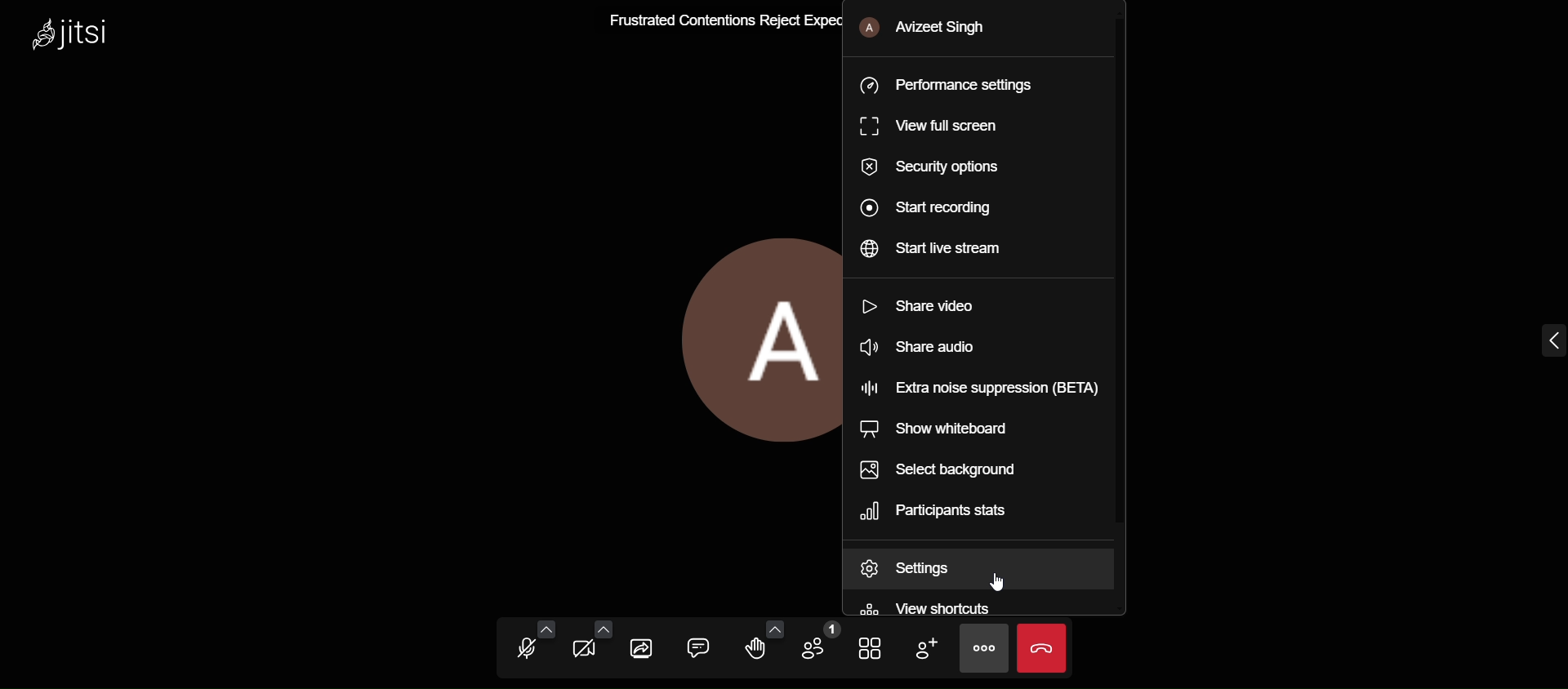  Describe the element at coordinates (96, 44) in the screenshot. I see `Jitsi` at that location.